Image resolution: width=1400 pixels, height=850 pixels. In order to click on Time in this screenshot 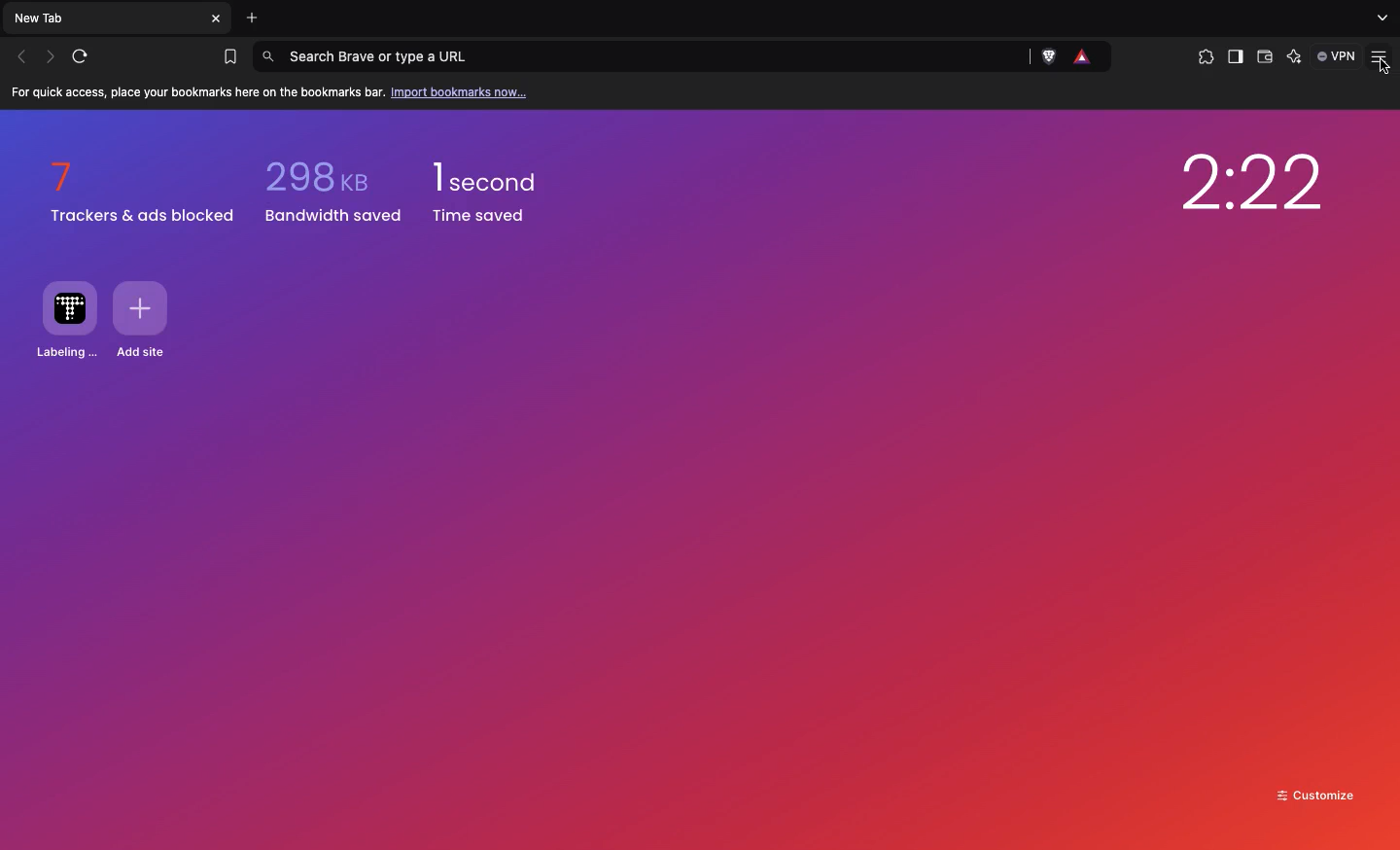, I will do `click(1244, 182)`.